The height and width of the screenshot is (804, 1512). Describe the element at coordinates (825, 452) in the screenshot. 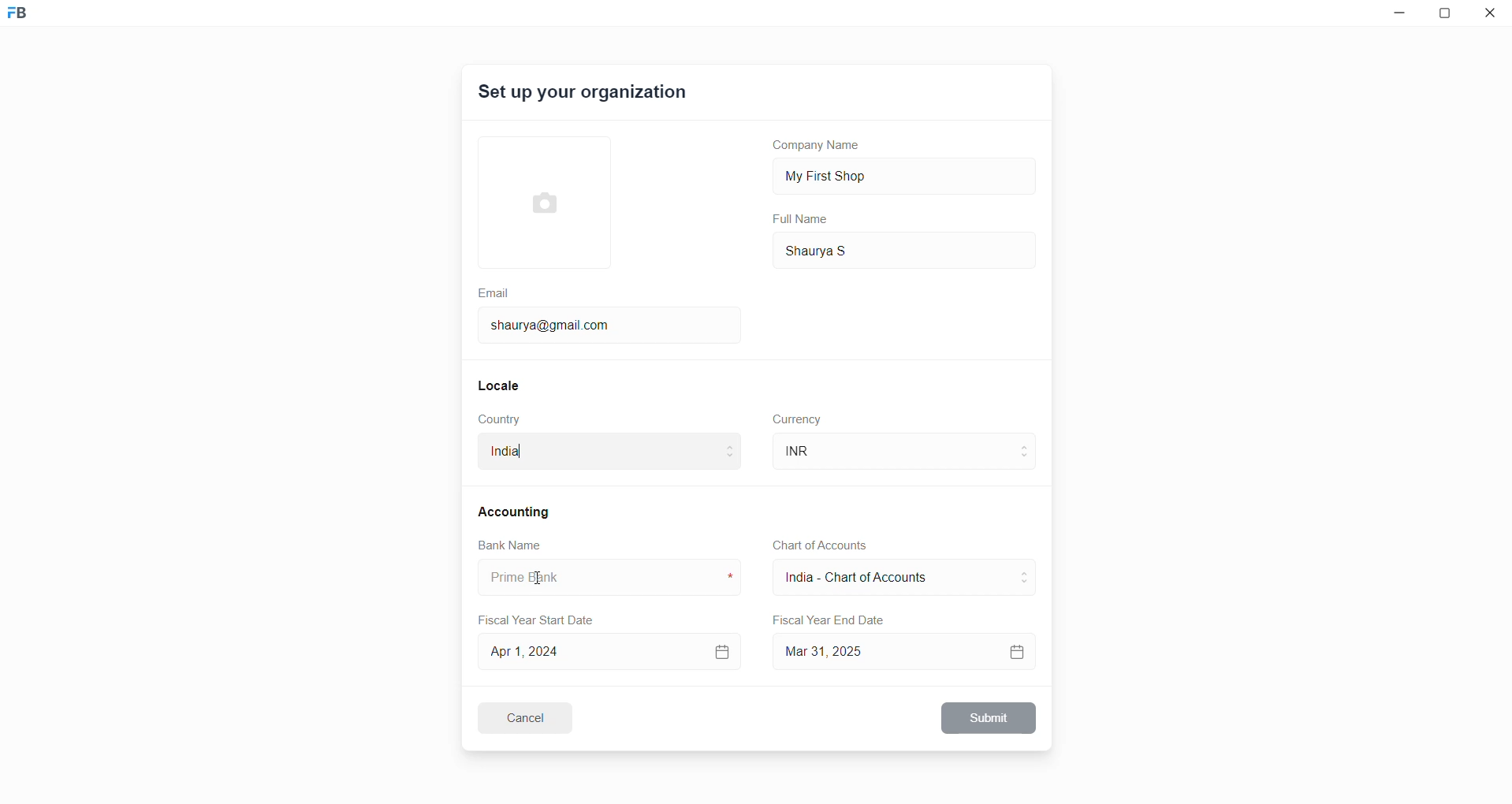

I see `INR` at that location.